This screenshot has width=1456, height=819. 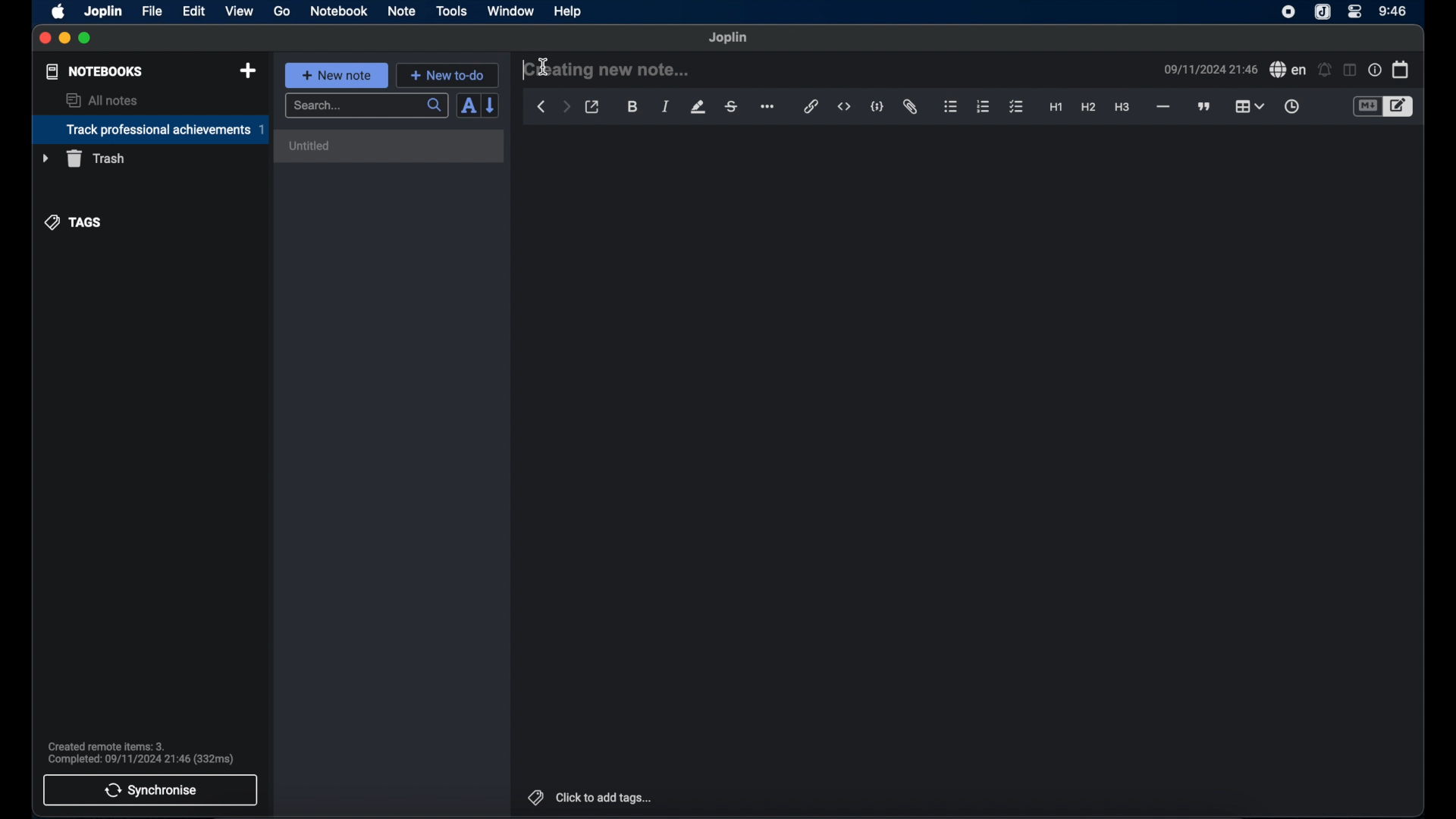 What do you see at coordinates (729, 38) in the screenshot?
I see `joplin` at bounding box center [729, 38].